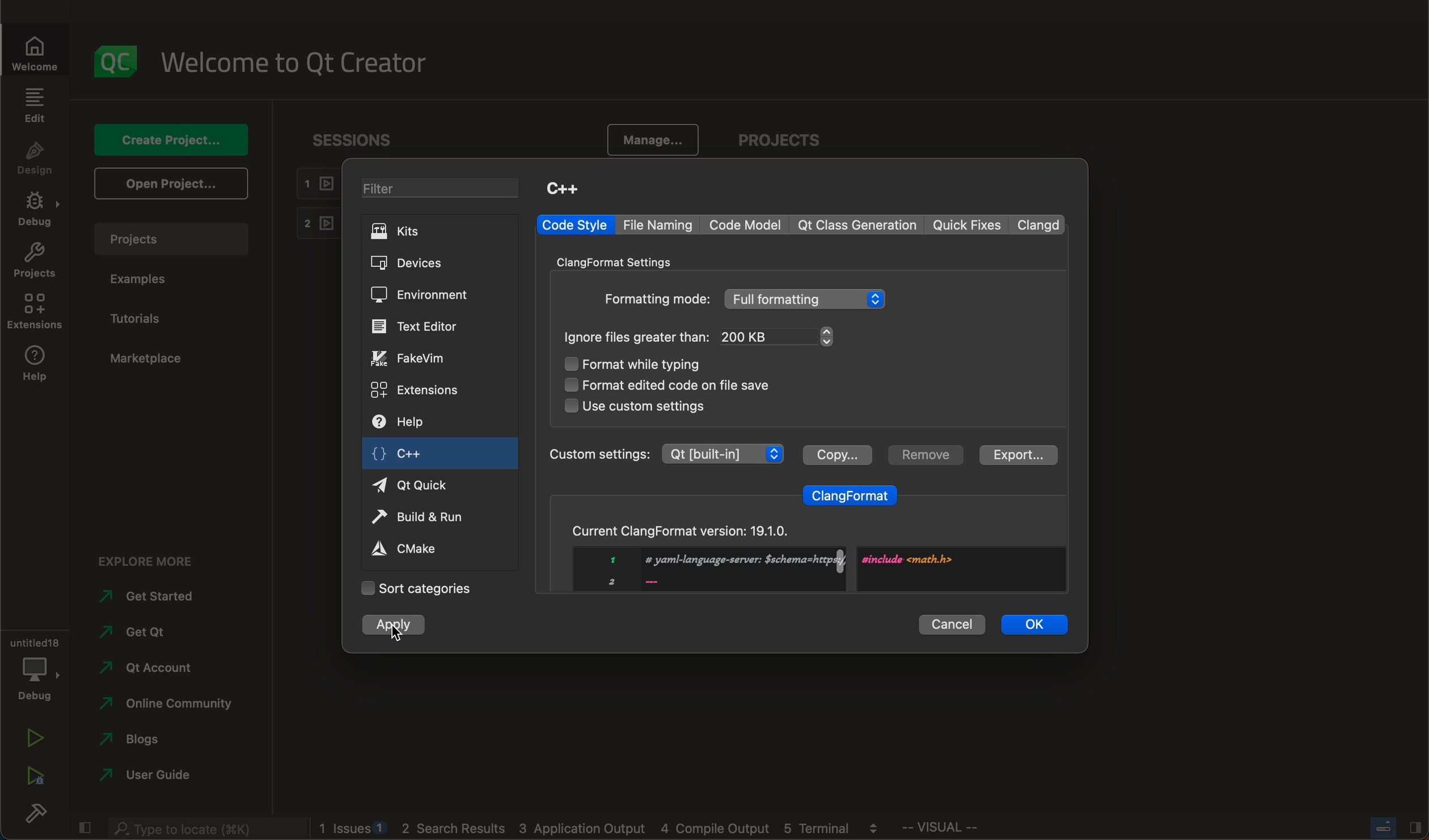 This screenshot has height=840, width=1429. What do you see at coordinates (923, 455) in the screenshot?
I see `remove` at bounding box center [923, 455].